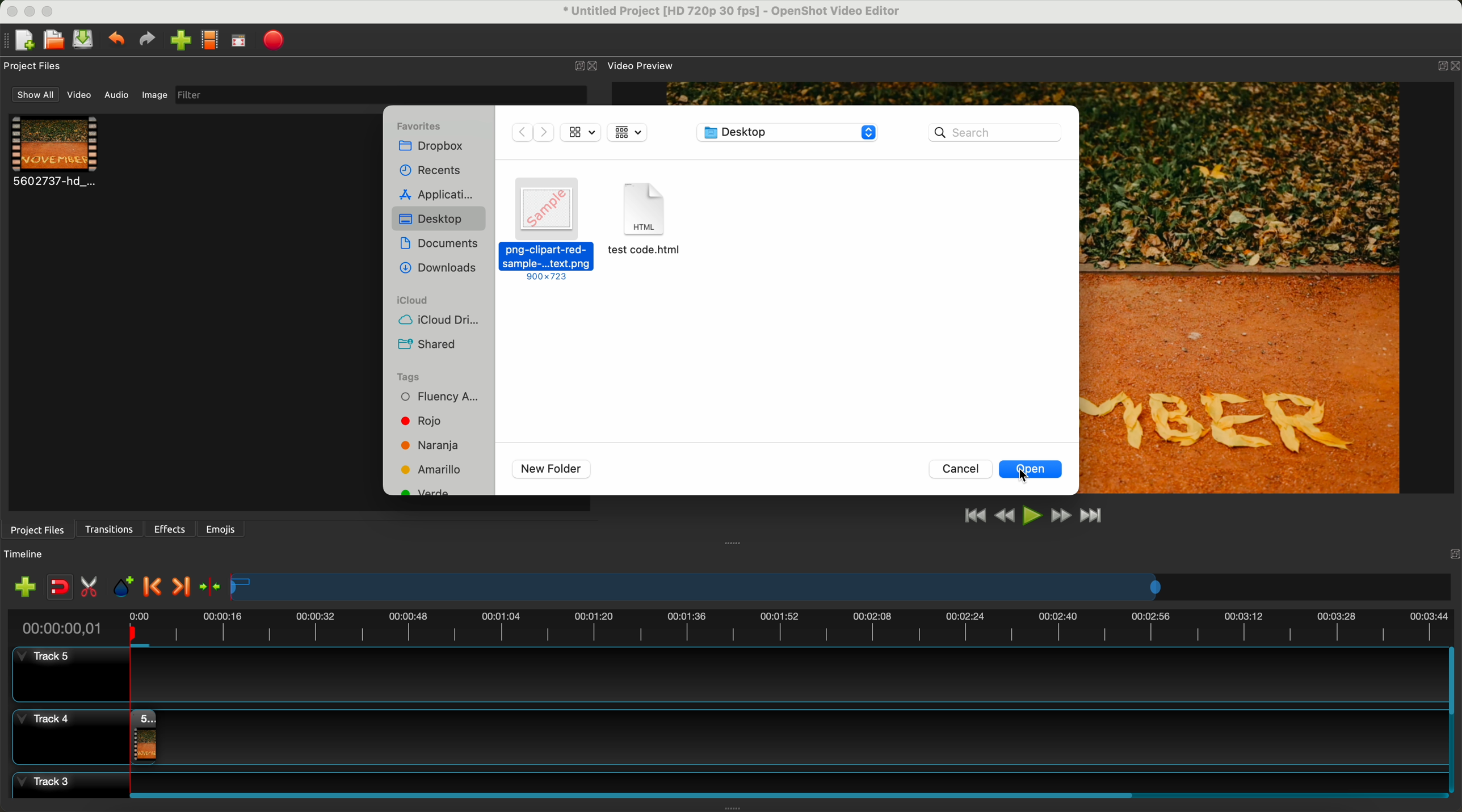 This screenshot has width=1462, height=812. I want to click on project files, so click(34, 66).